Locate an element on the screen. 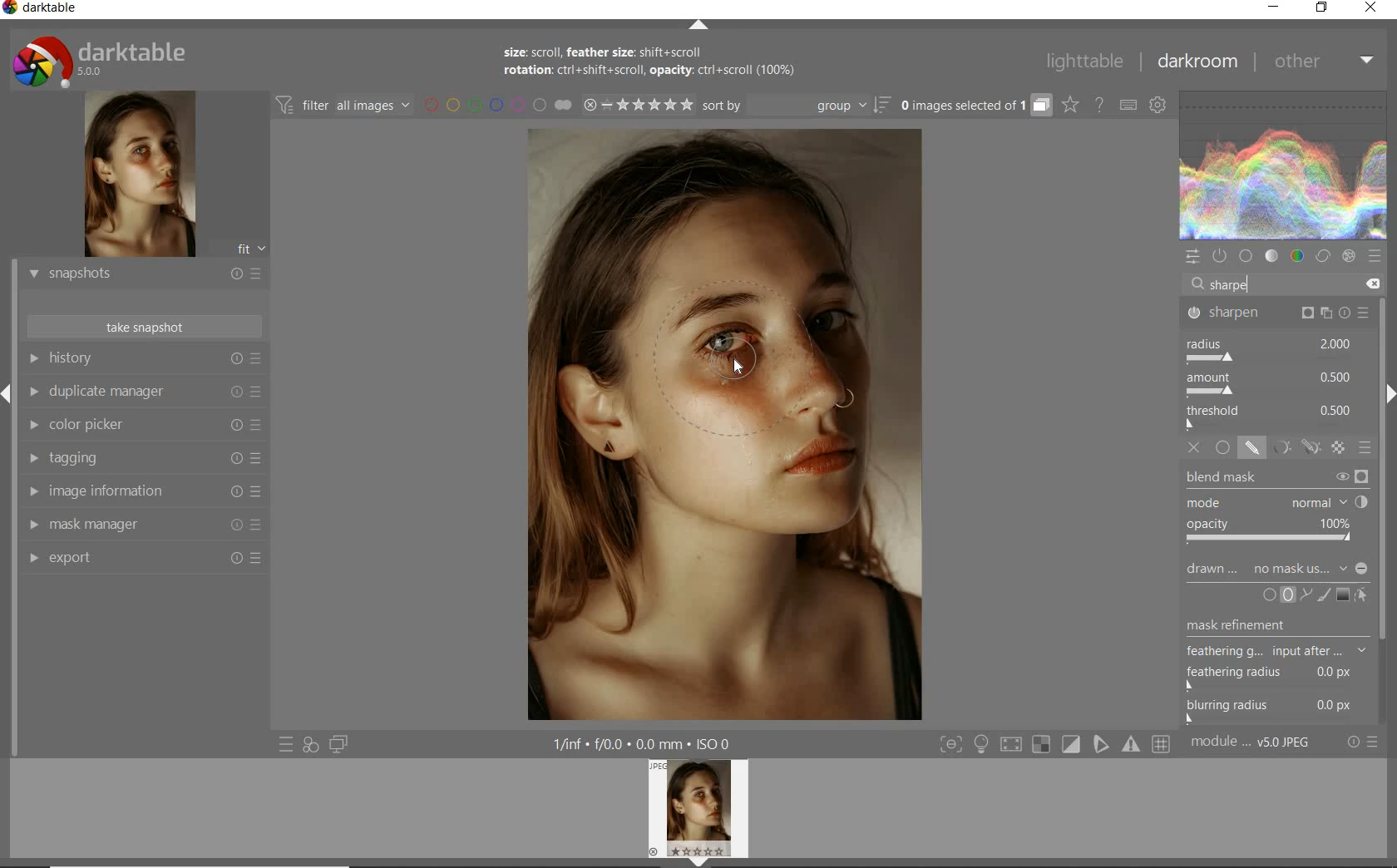 The height and width of the screenshot is (868, 1397). SHARPEN is located at coordinates (1279, 314).